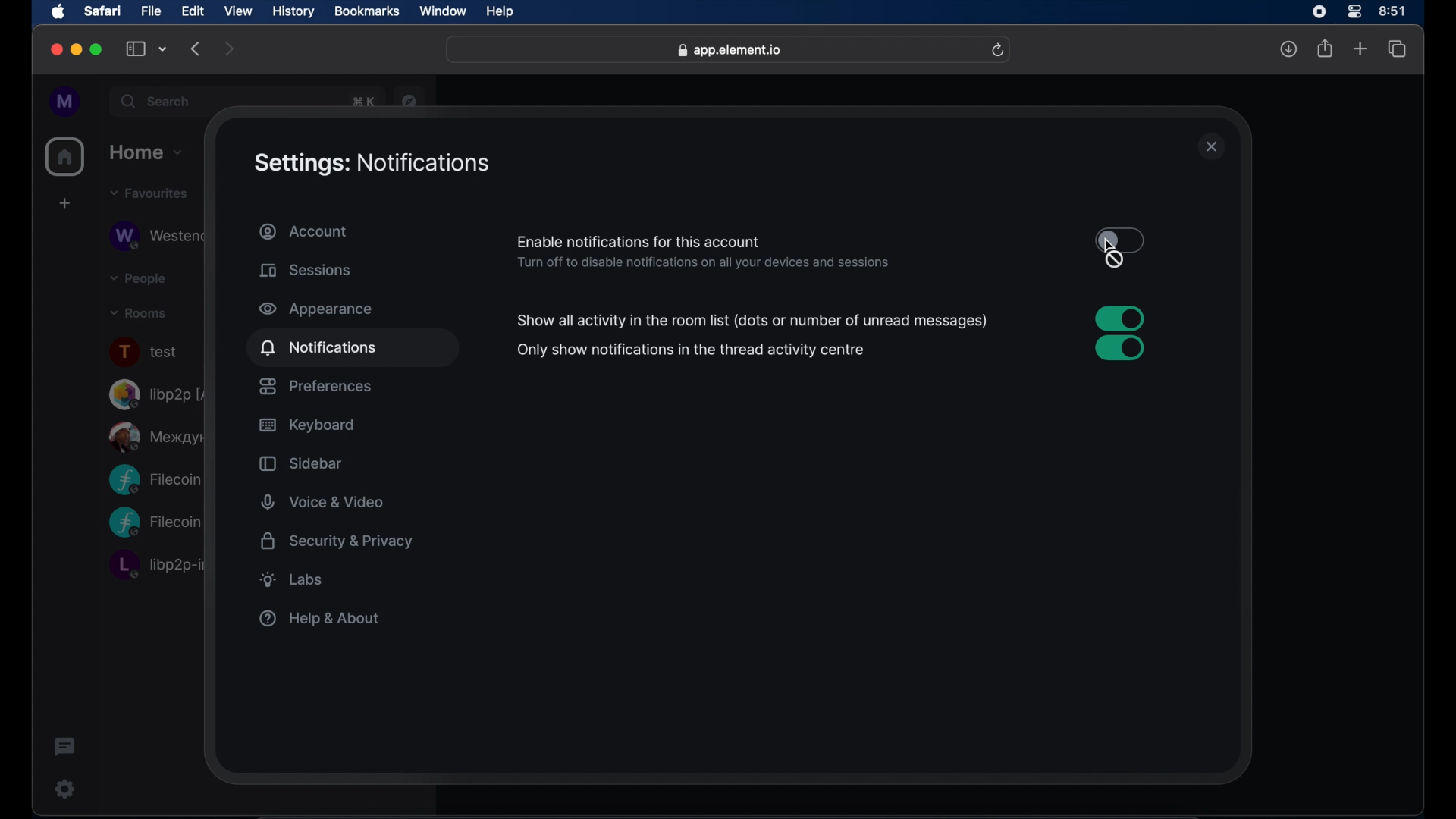 The height and width of the screenshot is (819, 1456). What do you see at coordinates (155, 102) in the screenshot?
I see `search` at bounding box center [155, 102].